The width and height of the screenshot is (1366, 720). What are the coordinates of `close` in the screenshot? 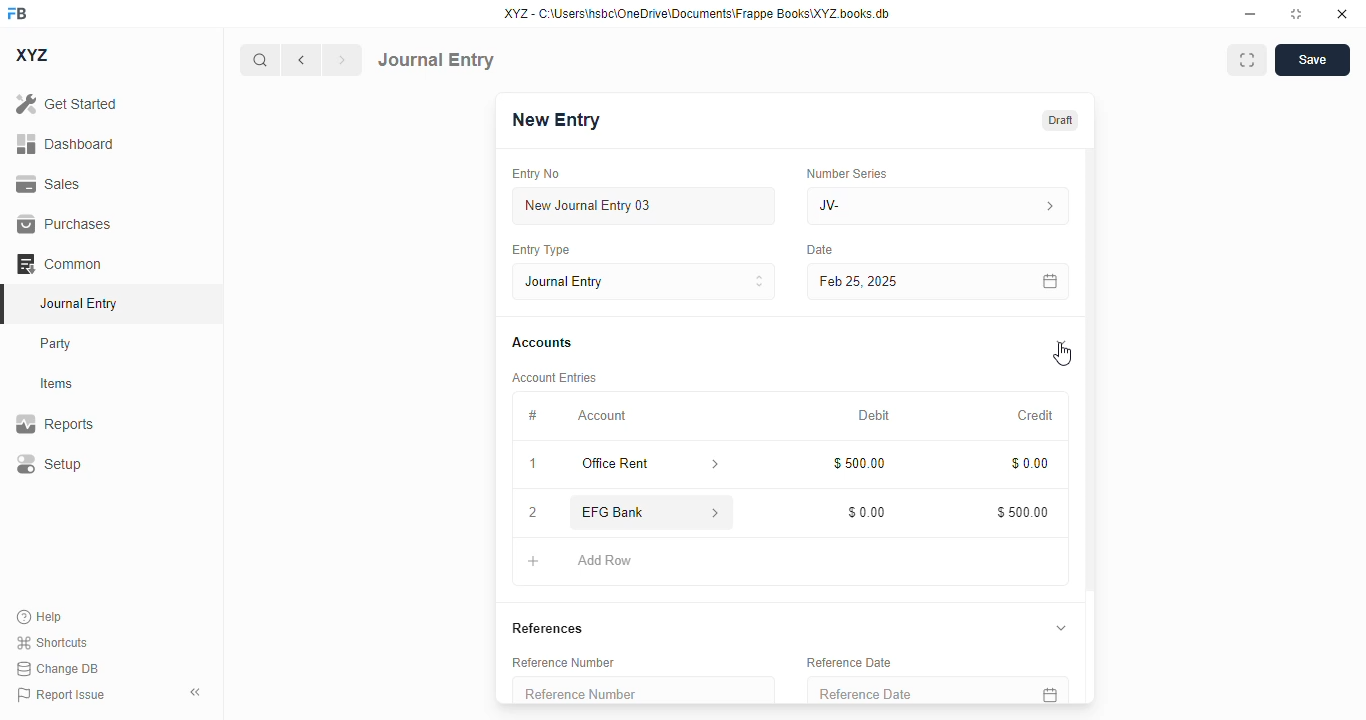 It's located at (1342, 13).